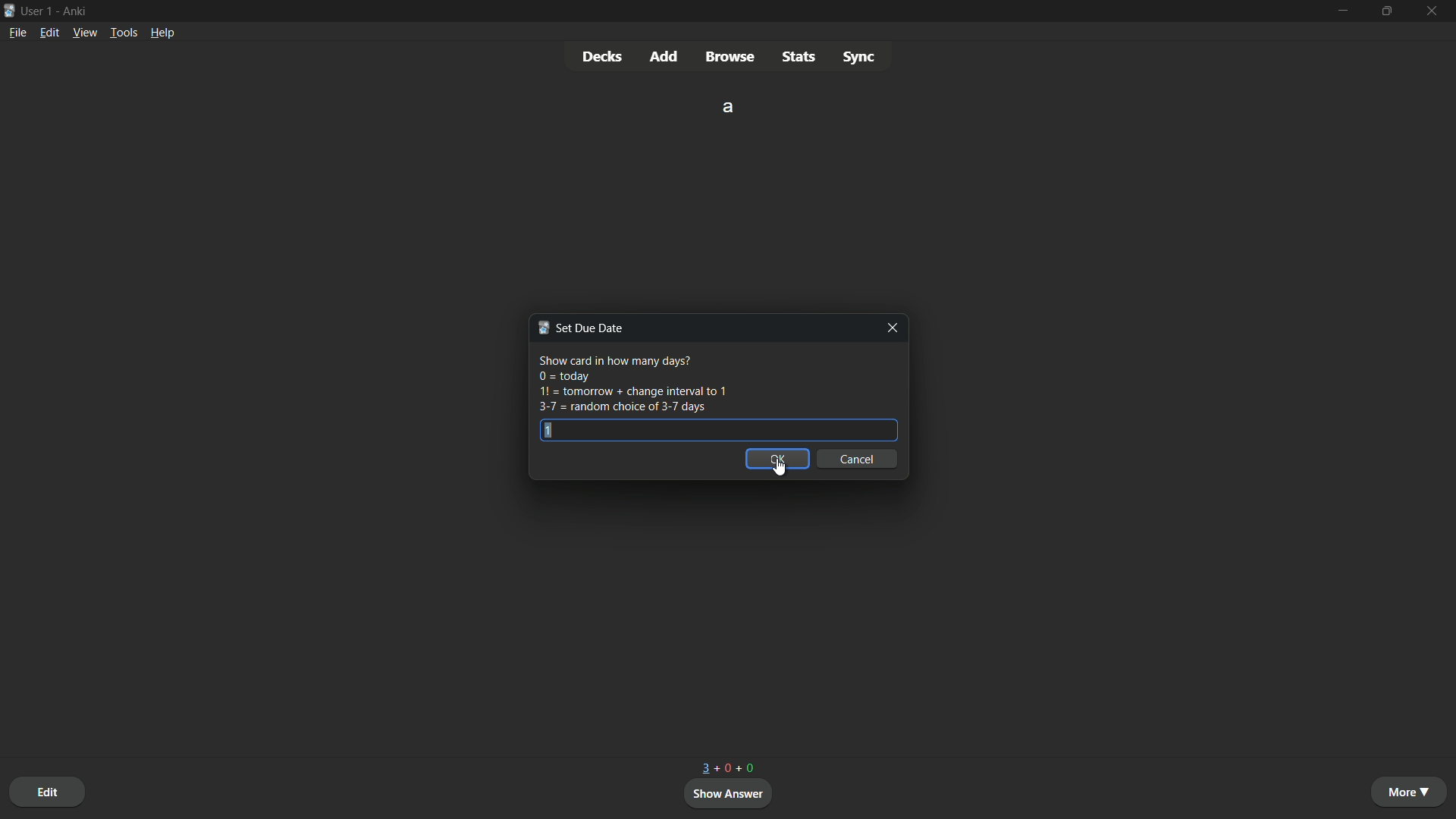 Image resolution: width=1456 pixels, height=819 pixels. Describe the element at coordinates (1411, 792) in the screenshot. I see `more` at that location.